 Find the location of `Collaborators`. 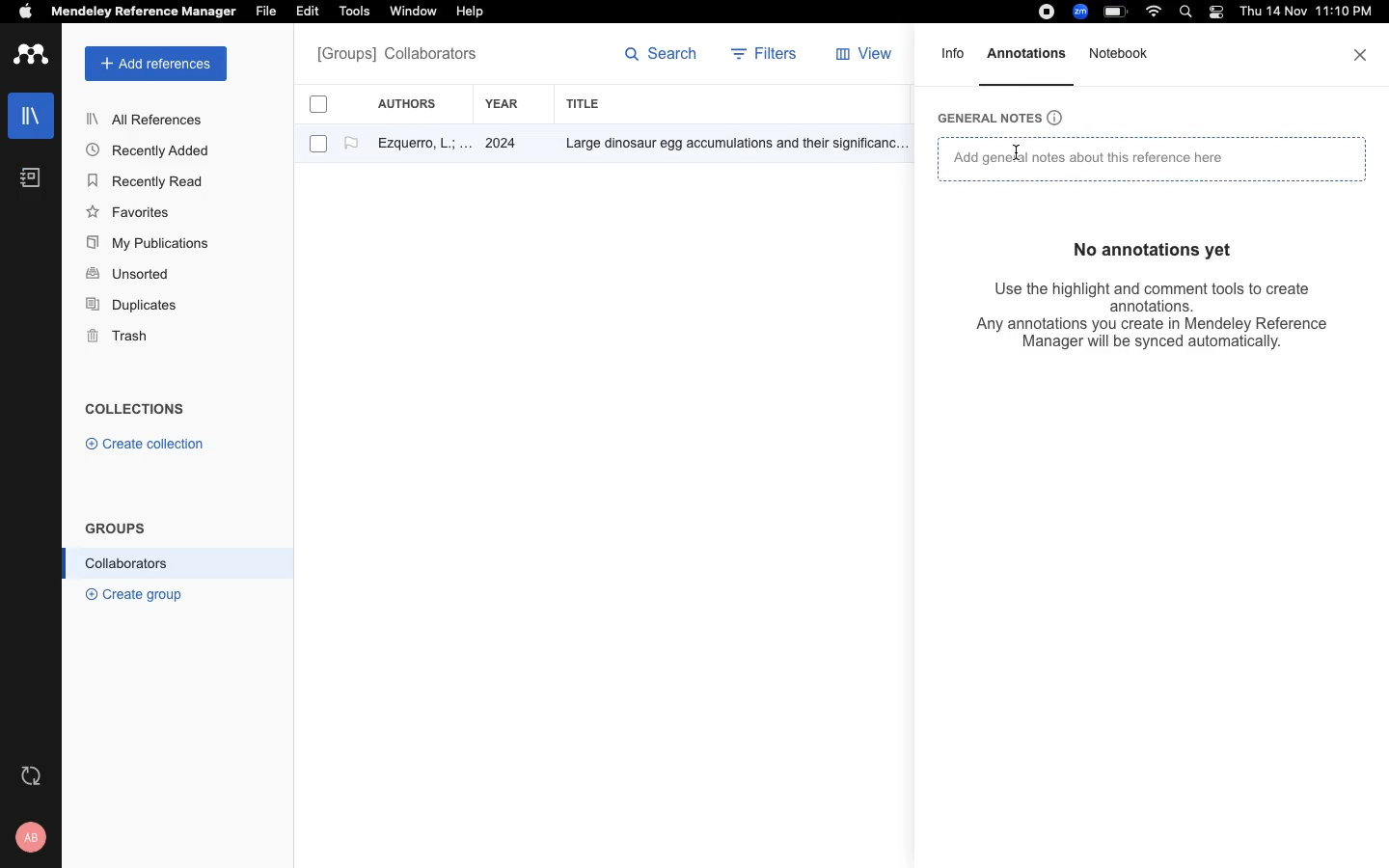

Collaborators is located at coordinates (127, 563).